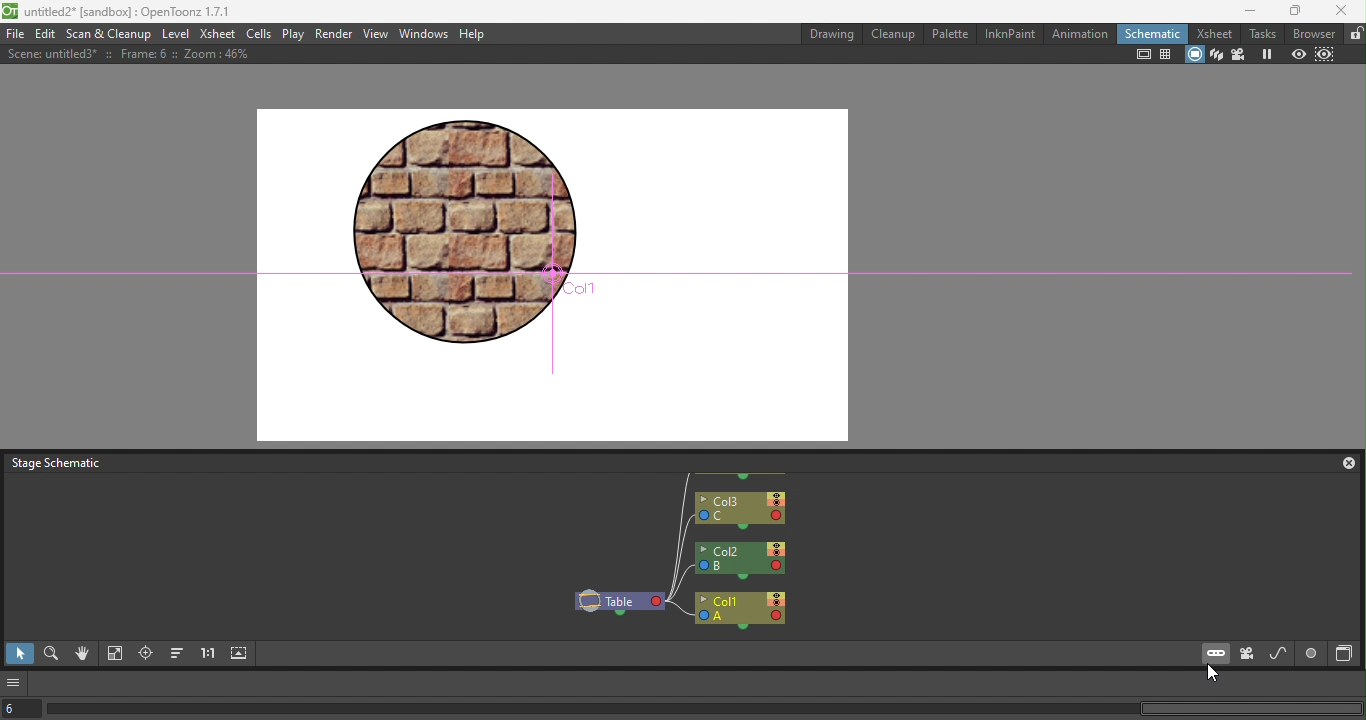 This screenshot has height=720, width=1366. I want to click on Level, so click(176, 35).